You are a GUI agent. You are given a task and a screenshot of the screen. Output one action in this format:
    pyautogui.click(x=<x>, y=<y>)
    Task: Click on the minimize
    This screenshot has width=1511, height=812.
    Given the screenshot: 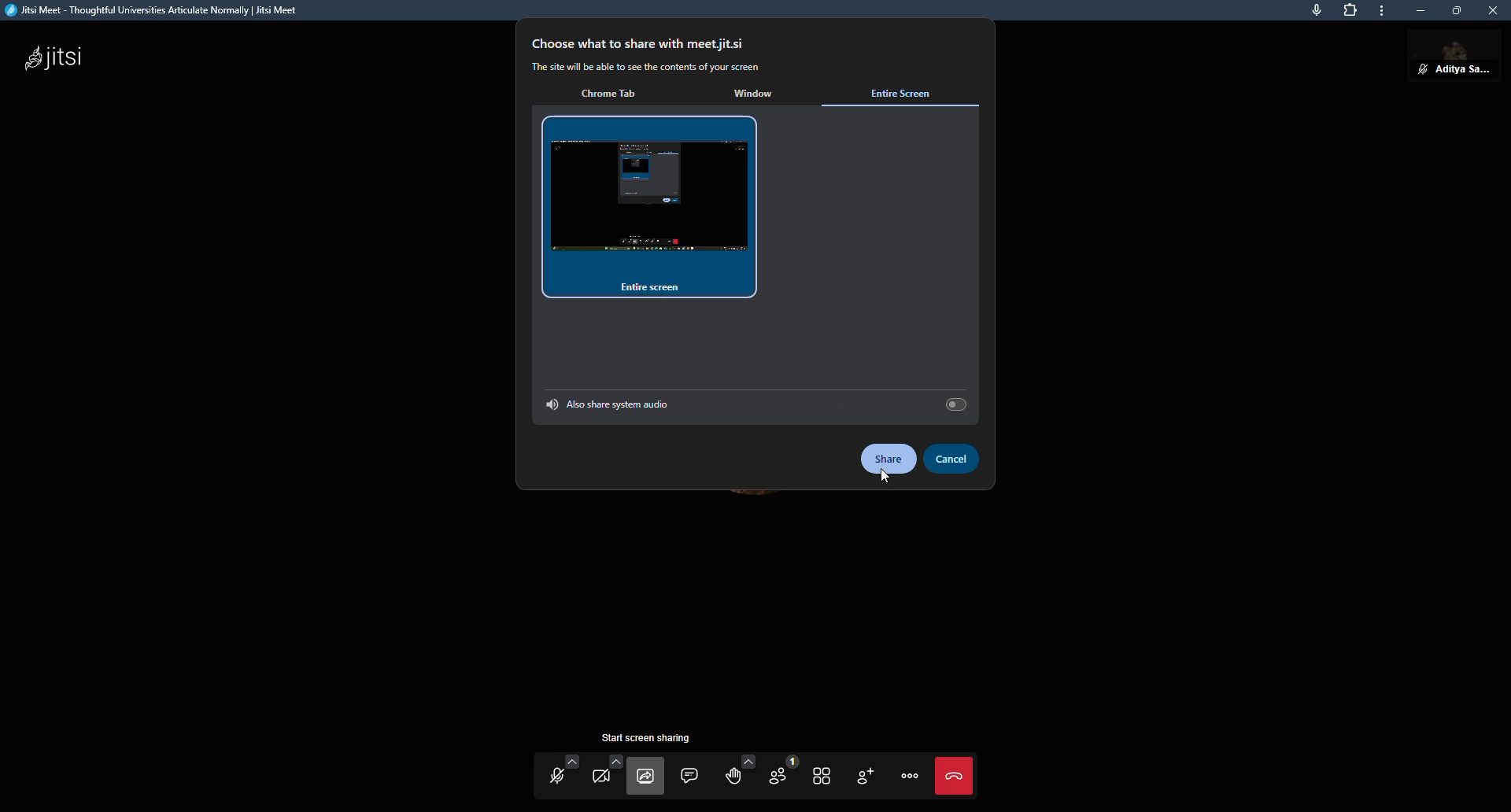 What is the action you would take?
    pyautogui.click(x=1415, y=10)
    